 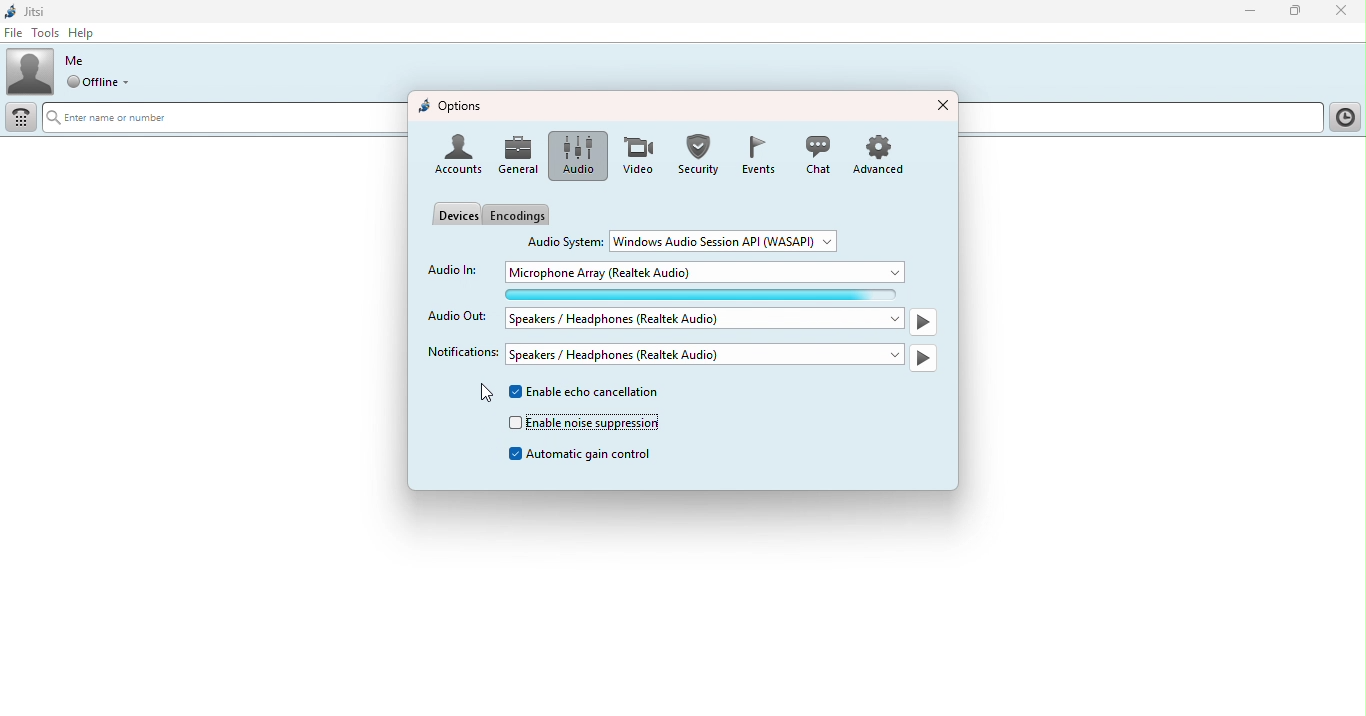 I want to click on Chat, so click(x=816, y=154).